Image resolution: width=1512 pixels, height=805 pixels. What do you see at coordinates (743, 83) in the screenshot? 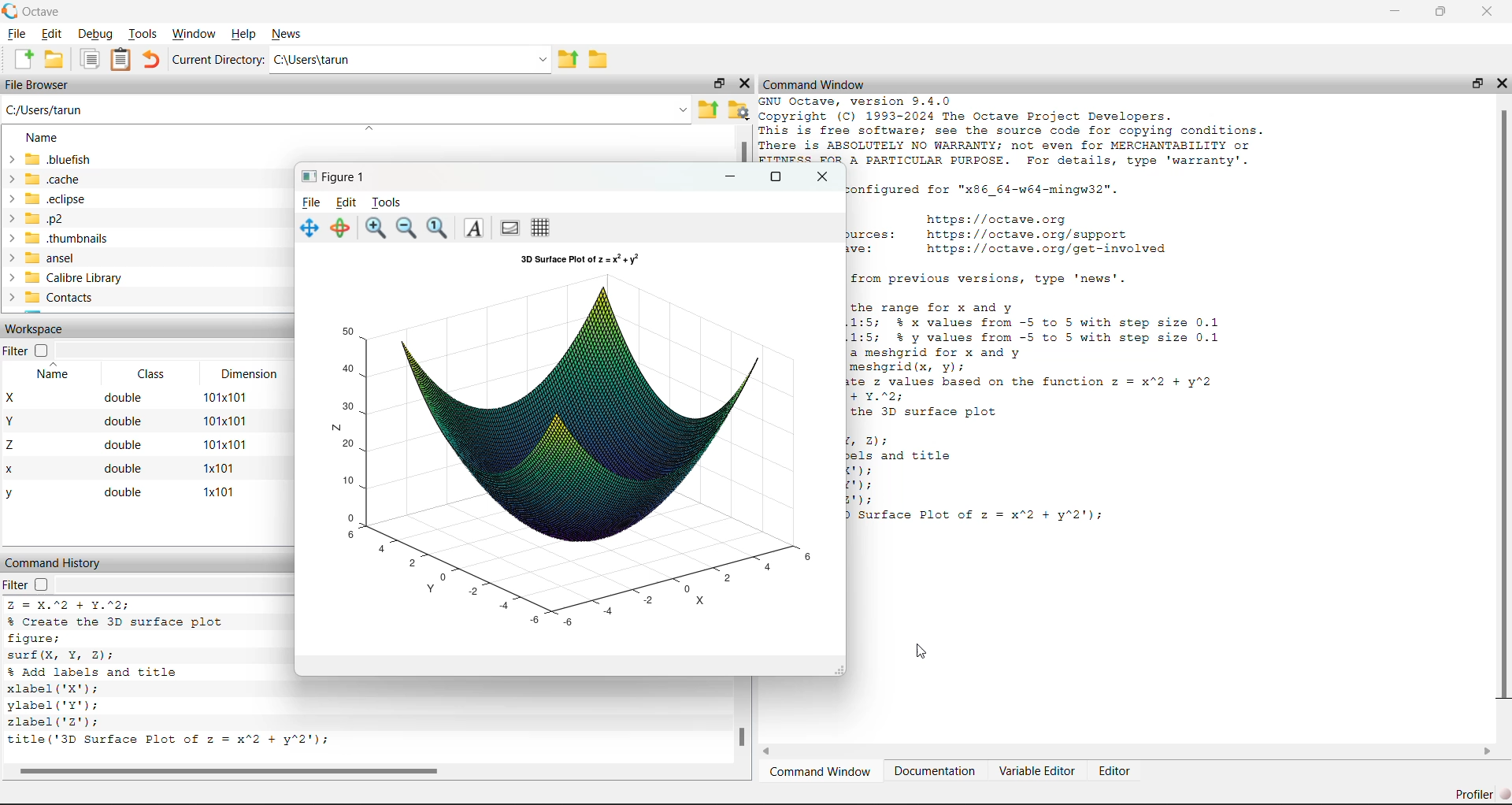
I see `Close` at bounding box center [743, 83].